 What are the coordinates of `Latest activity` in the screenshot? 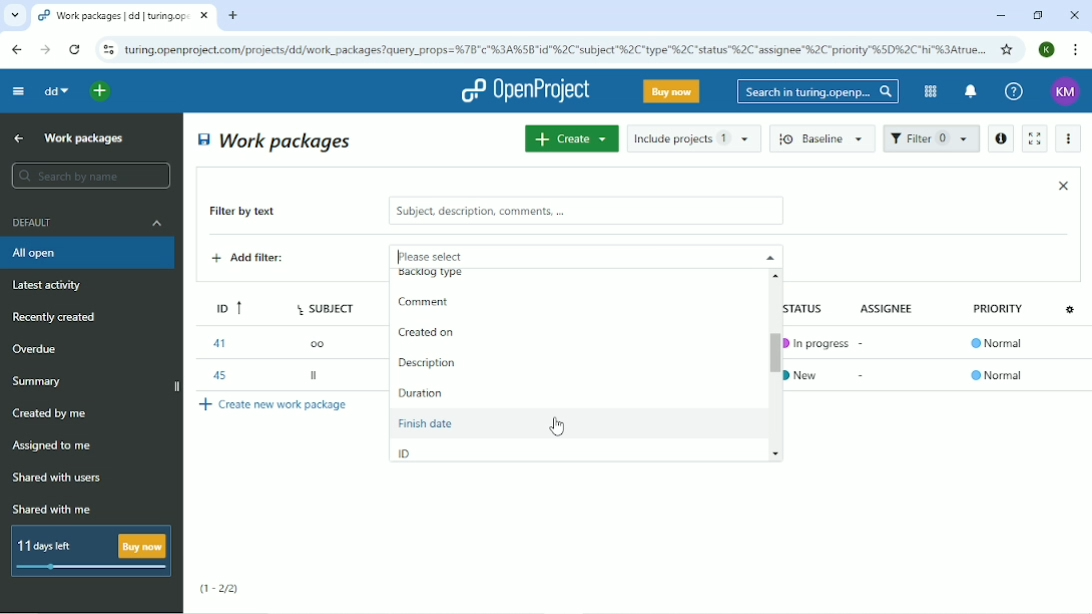 It's located at (53, 287).